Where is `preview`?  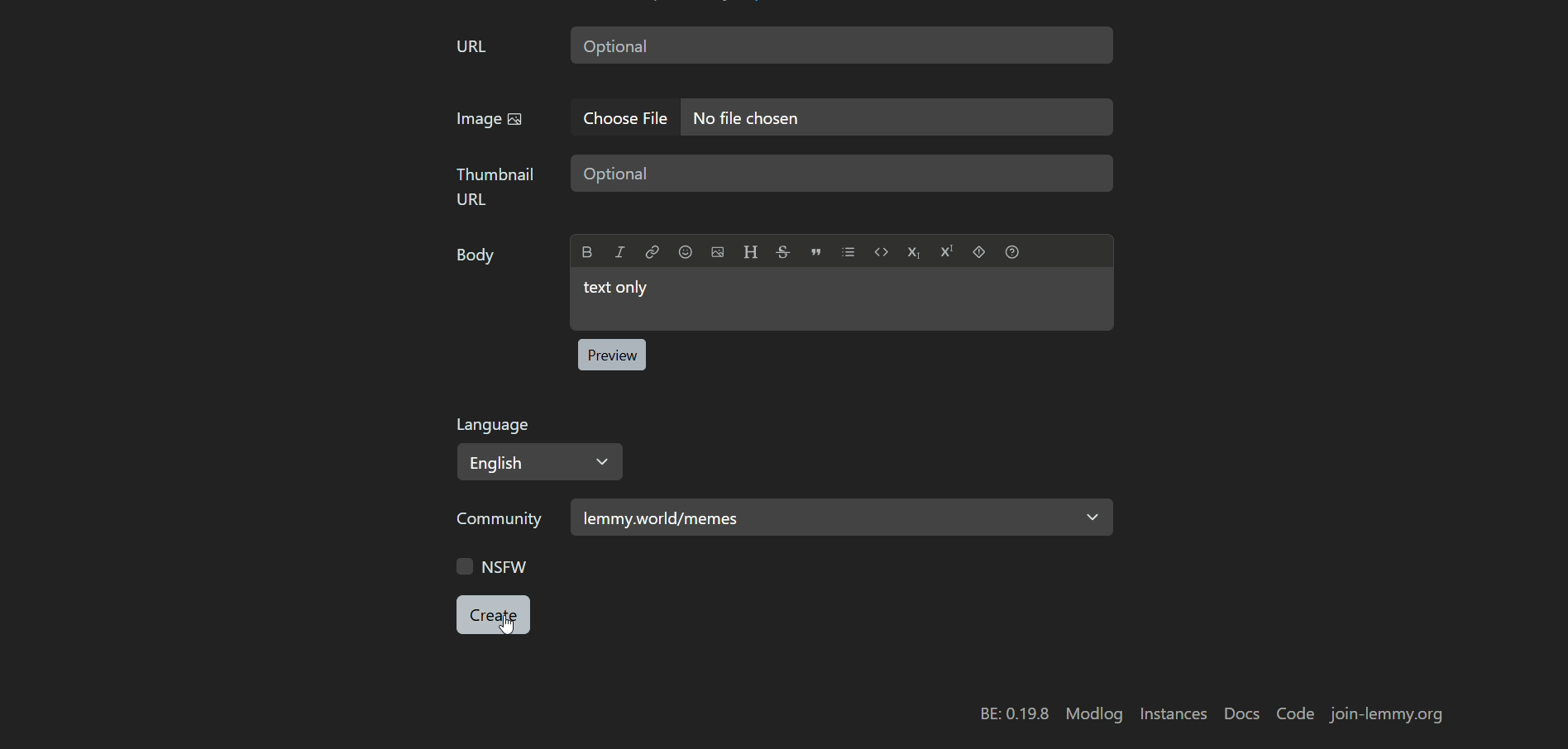
preview is located at coordinates (611, 355).